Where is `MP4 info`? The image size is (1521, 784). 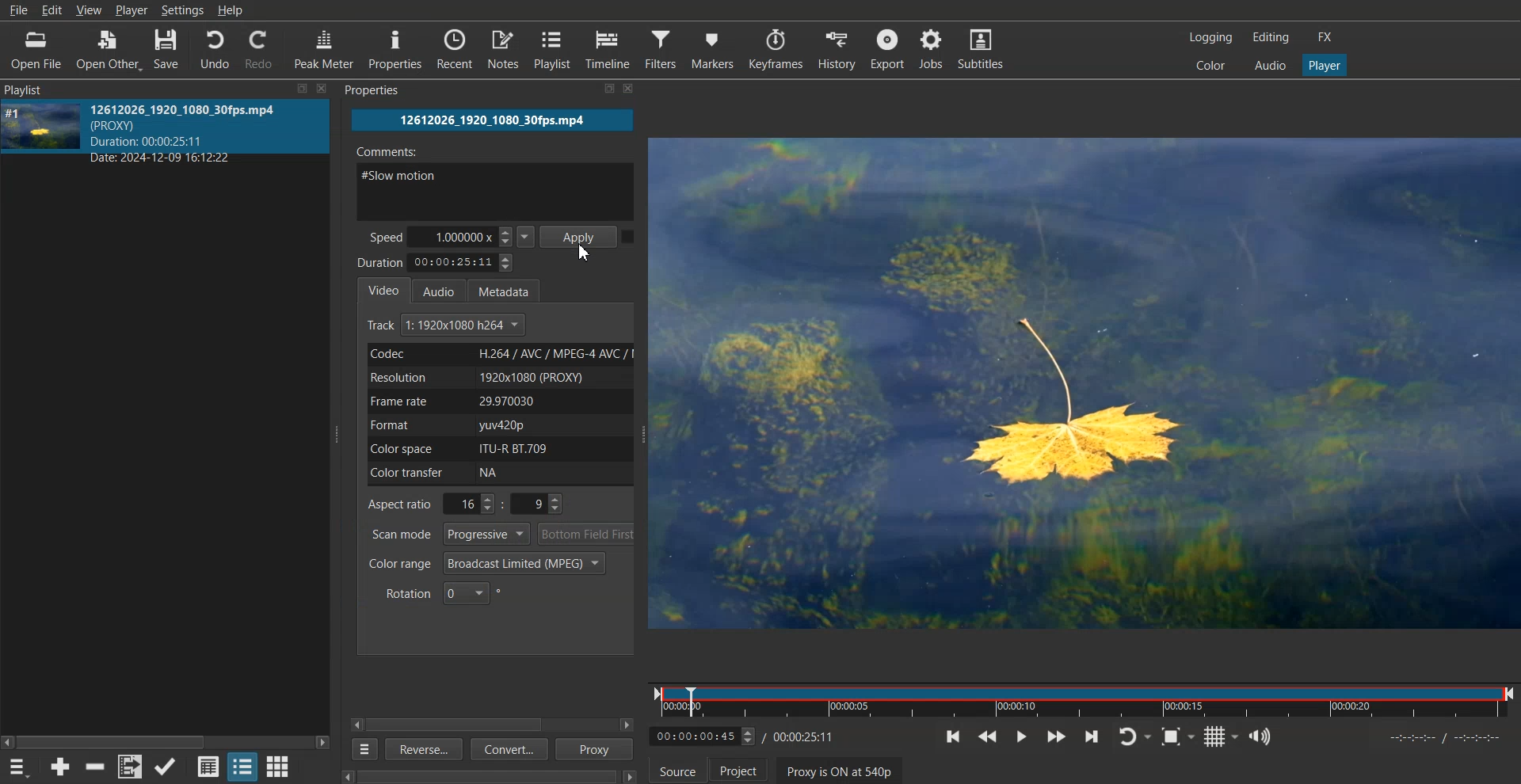 MP4 info is located at coordinates (200, 133).